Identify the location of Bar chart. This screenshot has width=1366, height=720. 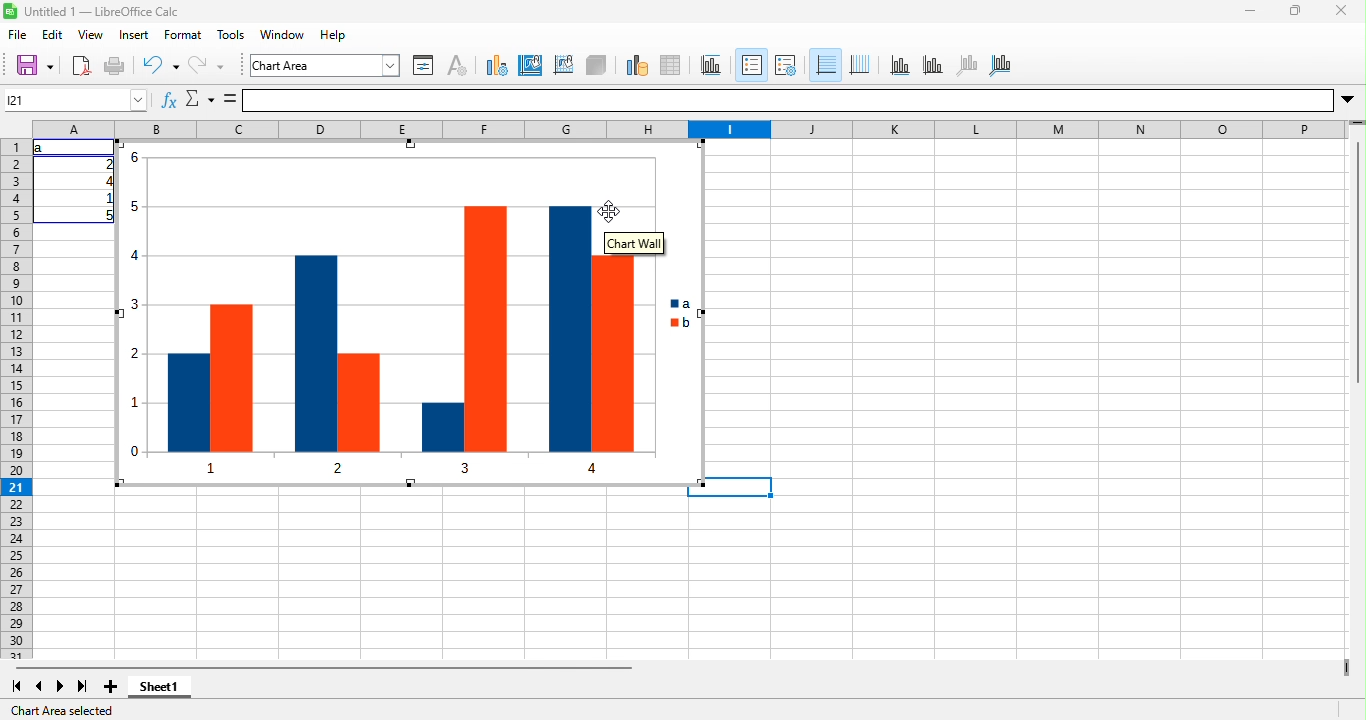
(654, 370).